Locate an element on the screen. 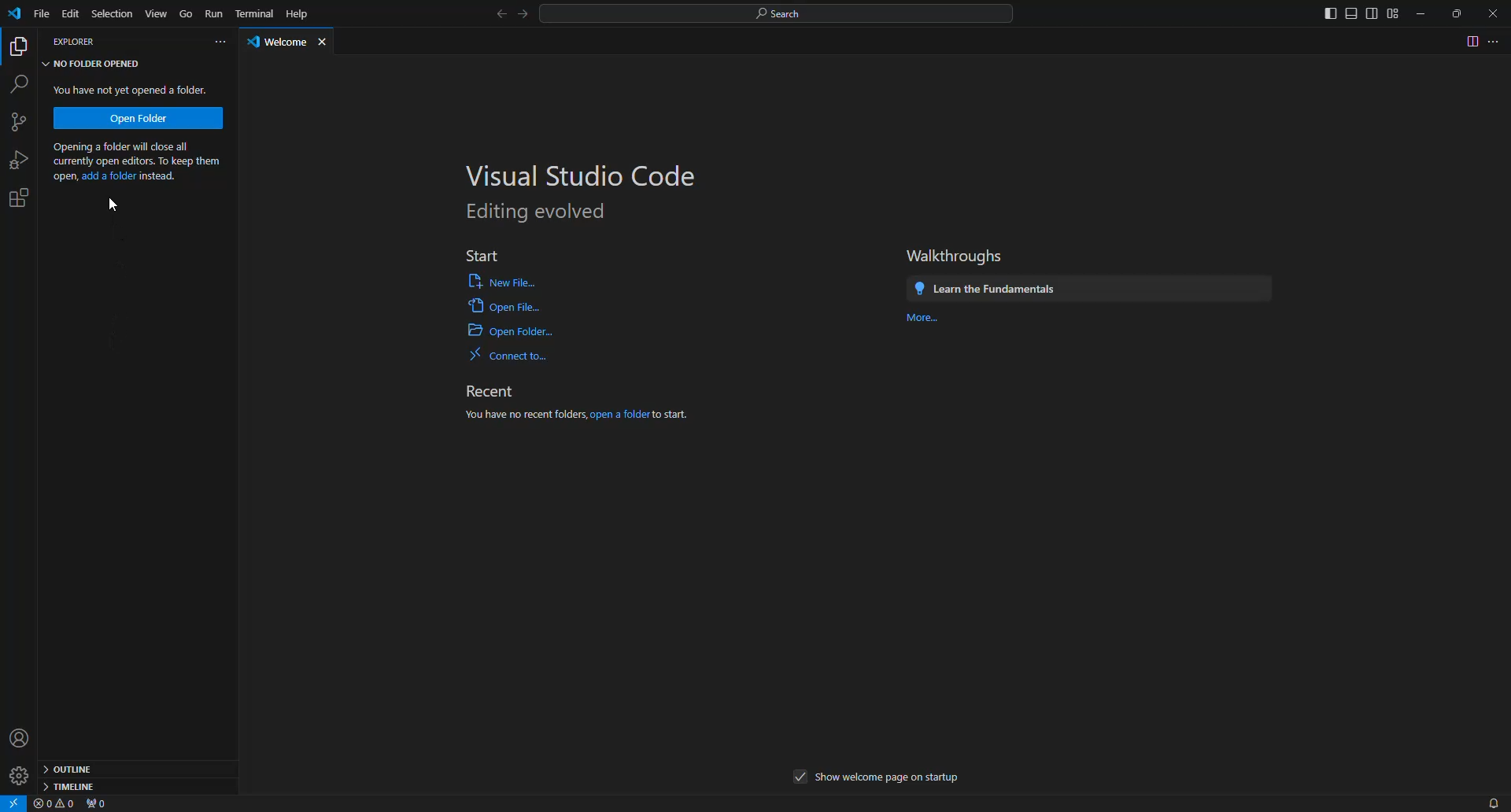  no ports forwarded is located at coordinates (100, 804).